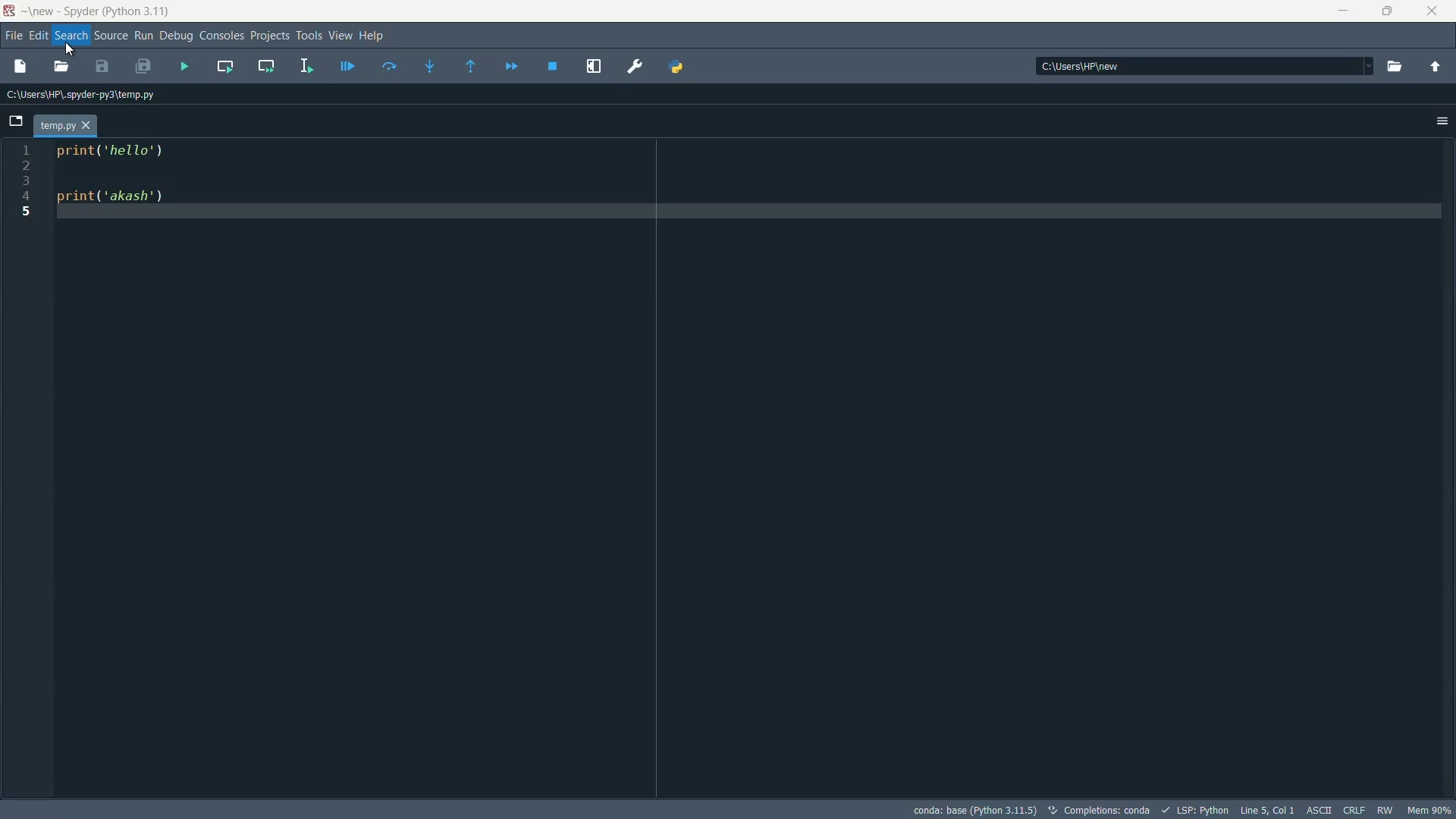 This screenshot has width=1456, height=819. I want to click on browse directory, so click(1395, 65).